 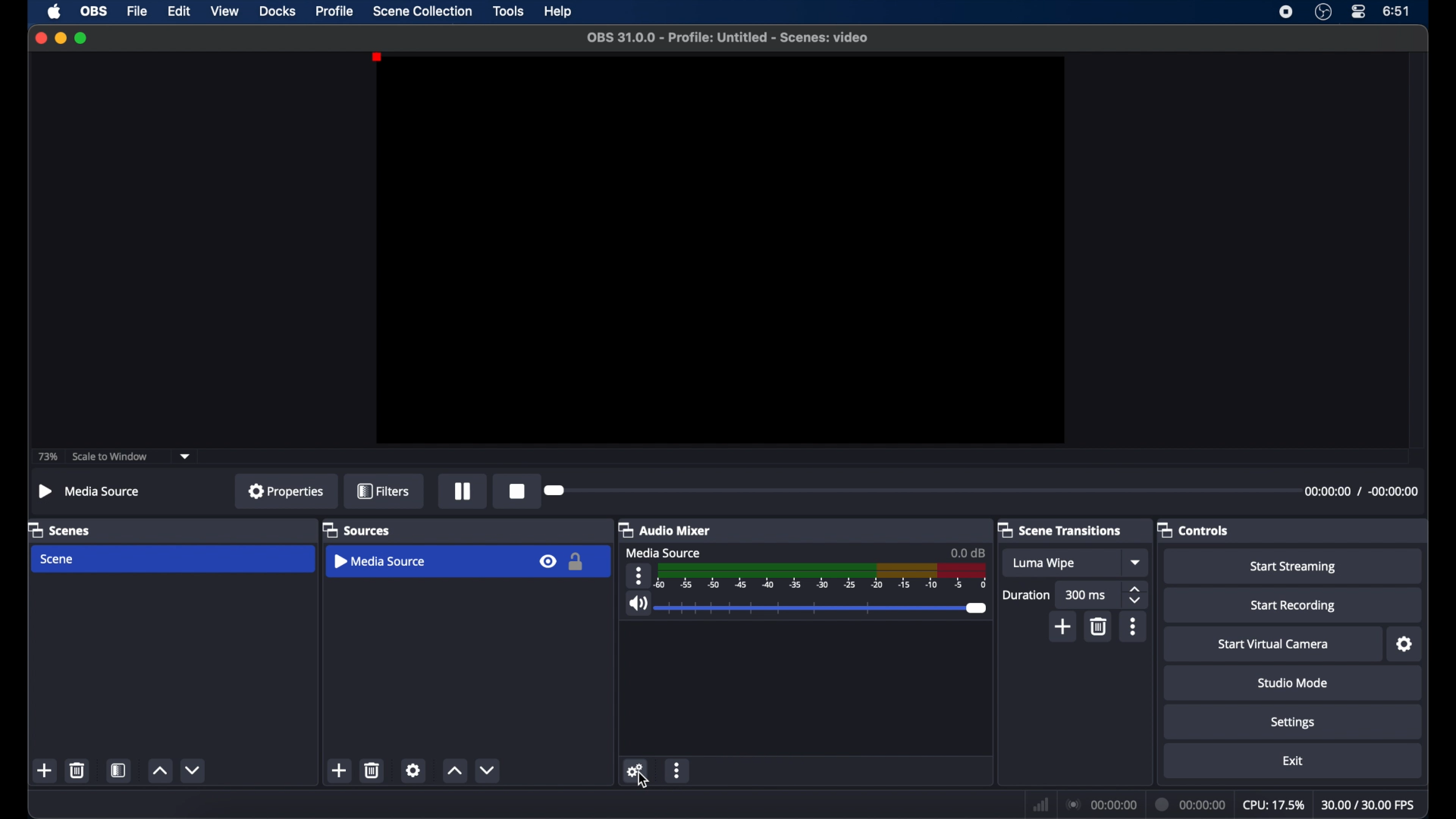 I want to click on audio mixer, so click(x=665, y=530).